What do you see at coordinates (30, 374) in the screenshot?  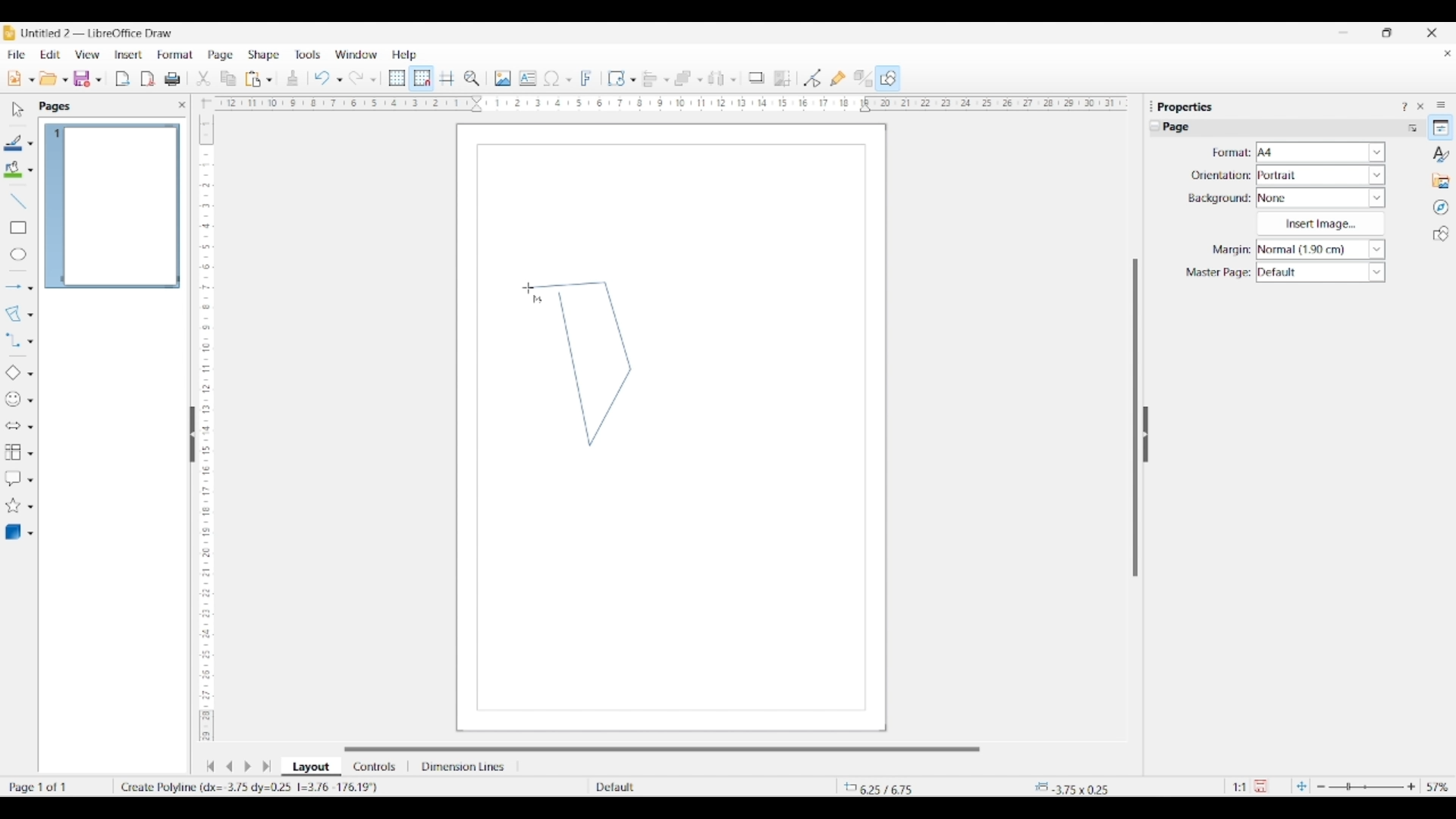 I see `Basic shape options` at bounding box center [30, 374].